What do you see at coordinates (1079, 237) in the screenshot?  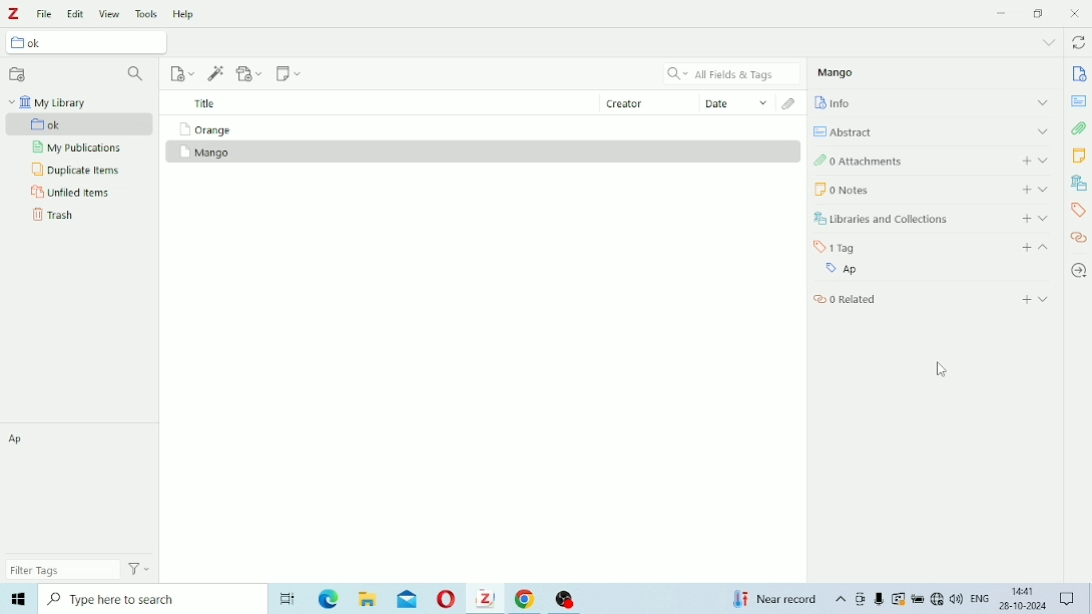 I see `Related` at bounding box center [1079, 237].